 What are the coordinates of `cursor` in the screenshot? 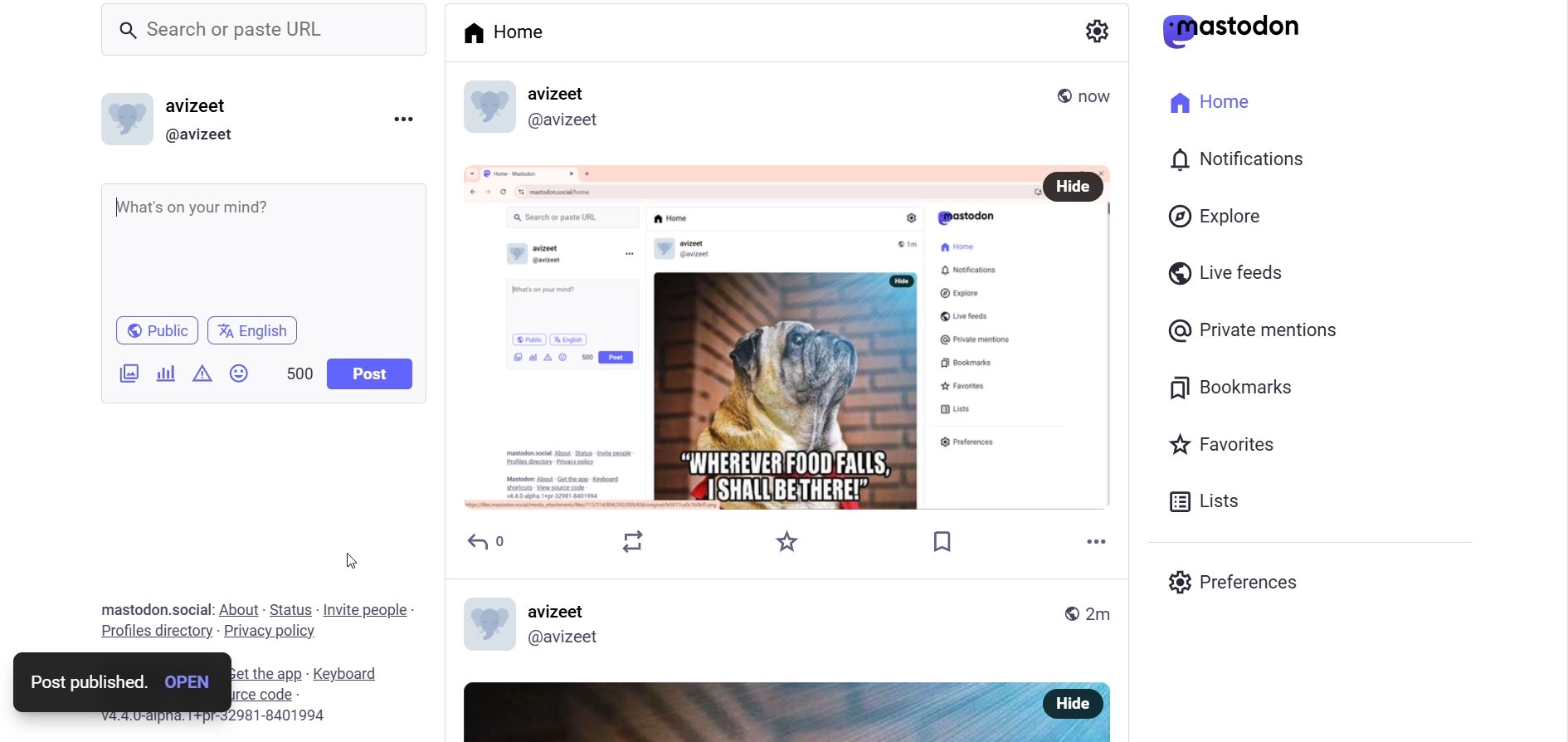 It's located at (355, 554).